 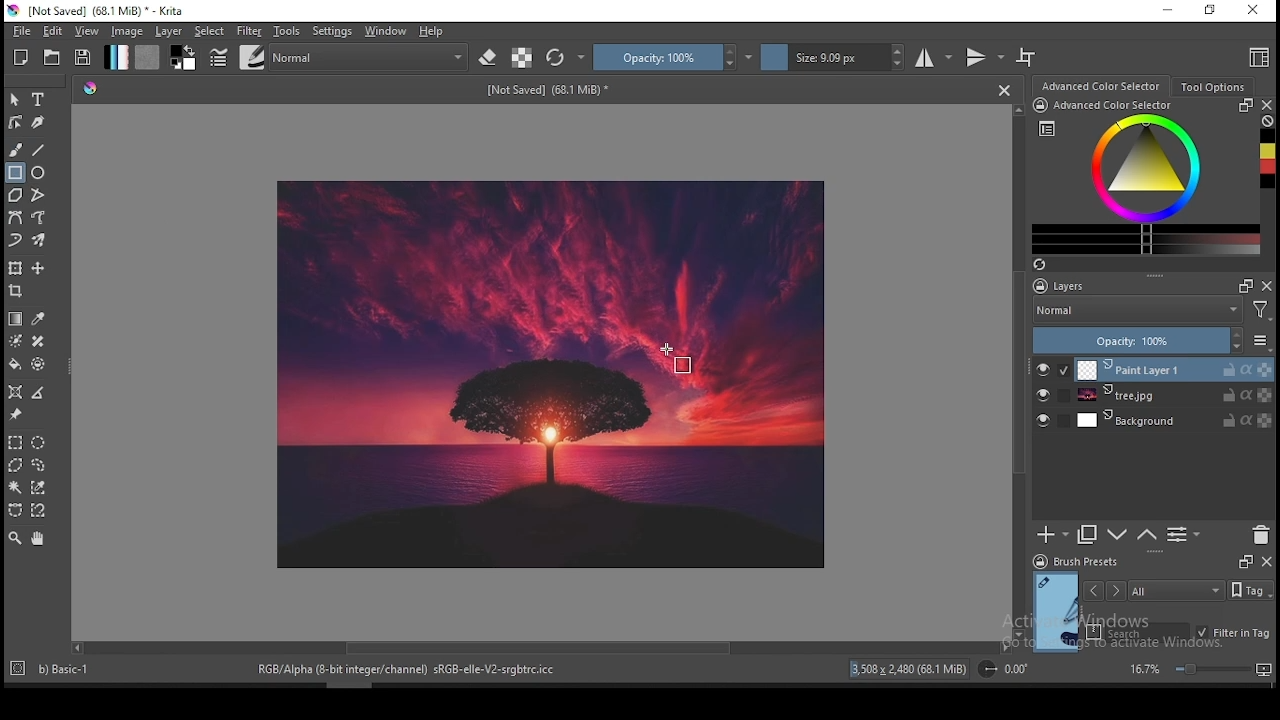 I want to click on calligraphy, so click(x=37, y=122).